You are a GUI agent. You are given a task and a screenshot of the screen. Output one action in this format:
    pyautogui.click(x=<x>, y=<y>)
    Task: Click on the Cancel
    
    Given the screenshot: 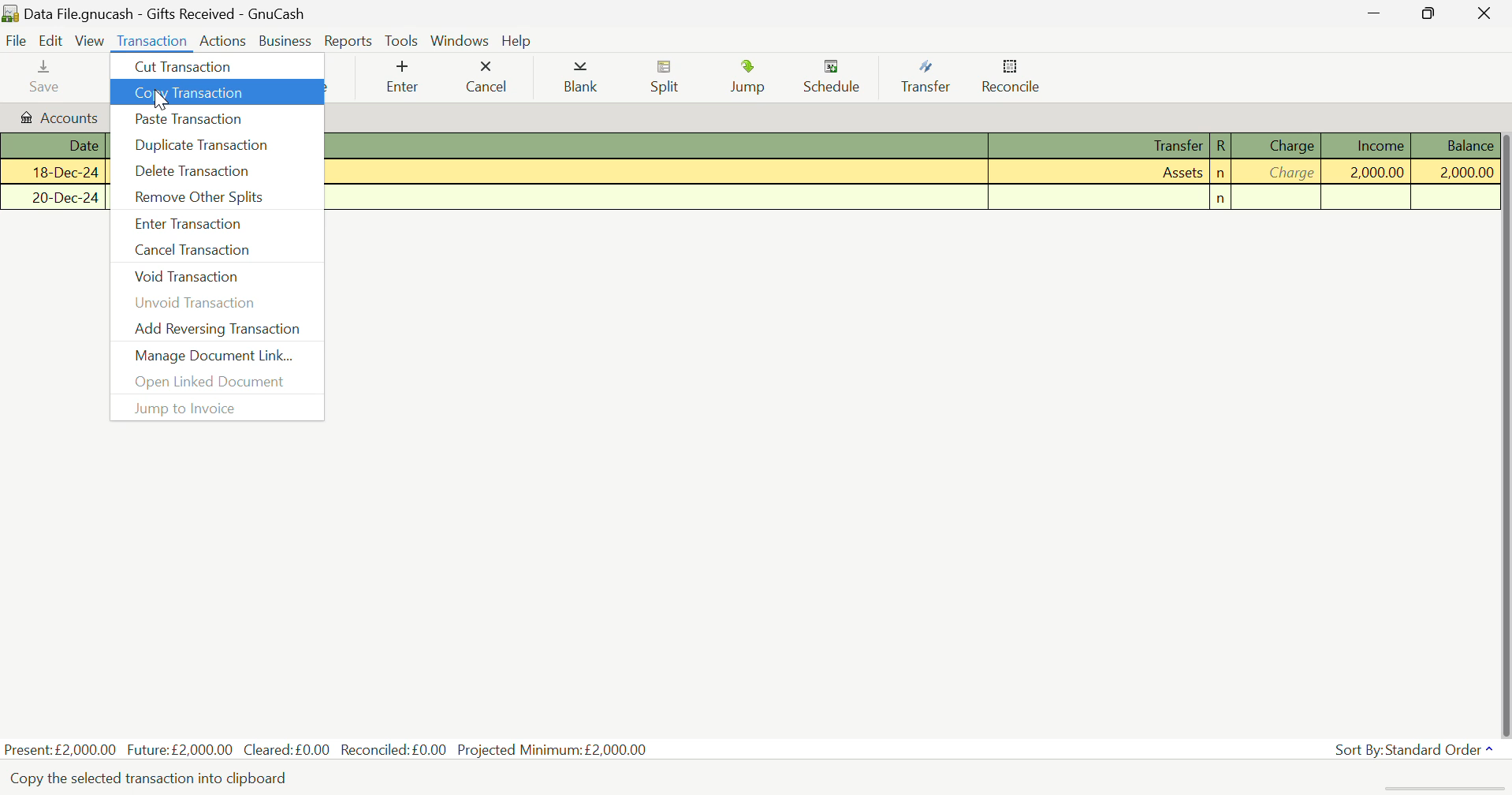 What is the action you would take?
    pyautogui.click(x=486, y=74)
    